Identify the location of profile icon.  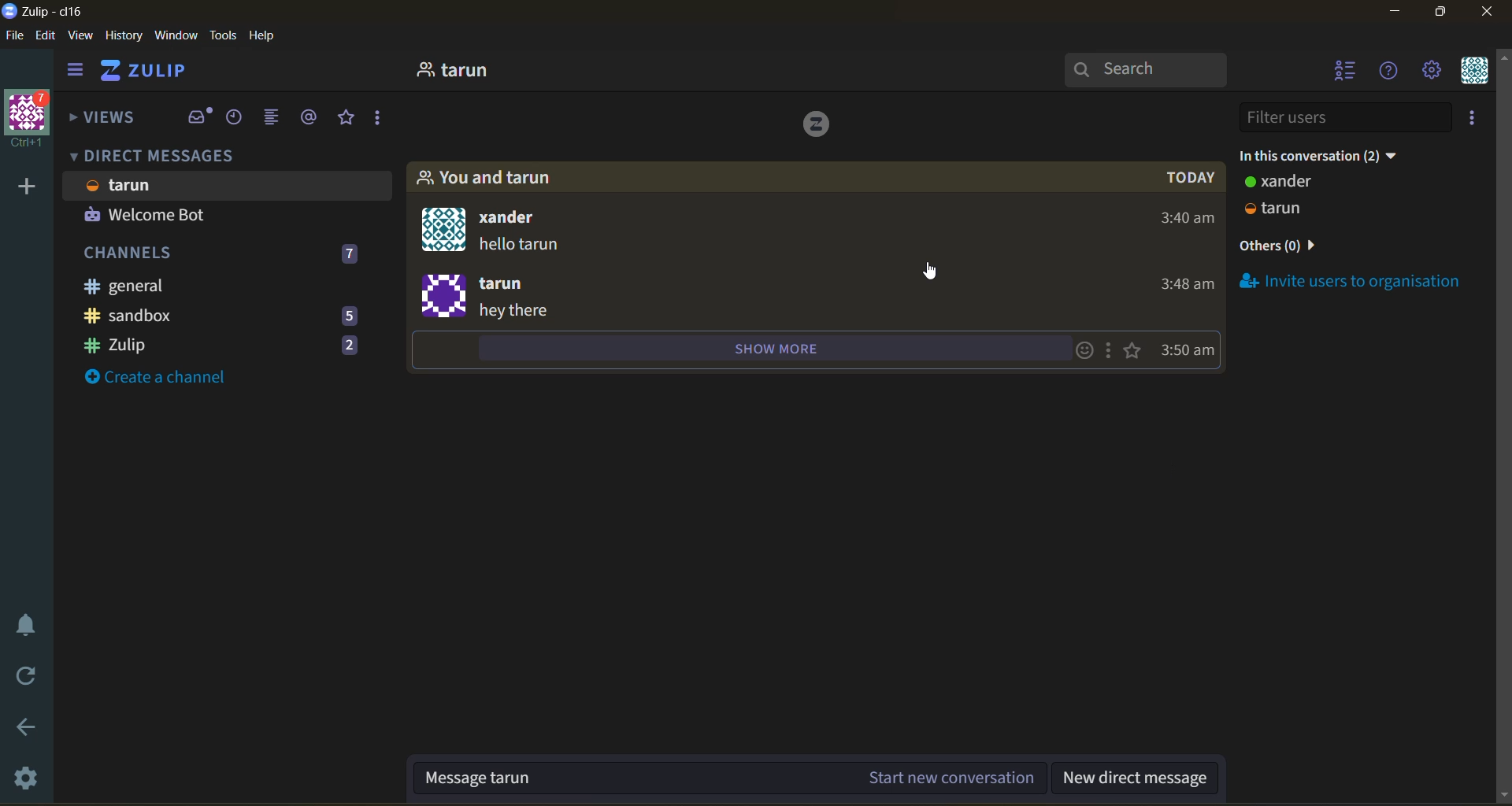
(444, 295).